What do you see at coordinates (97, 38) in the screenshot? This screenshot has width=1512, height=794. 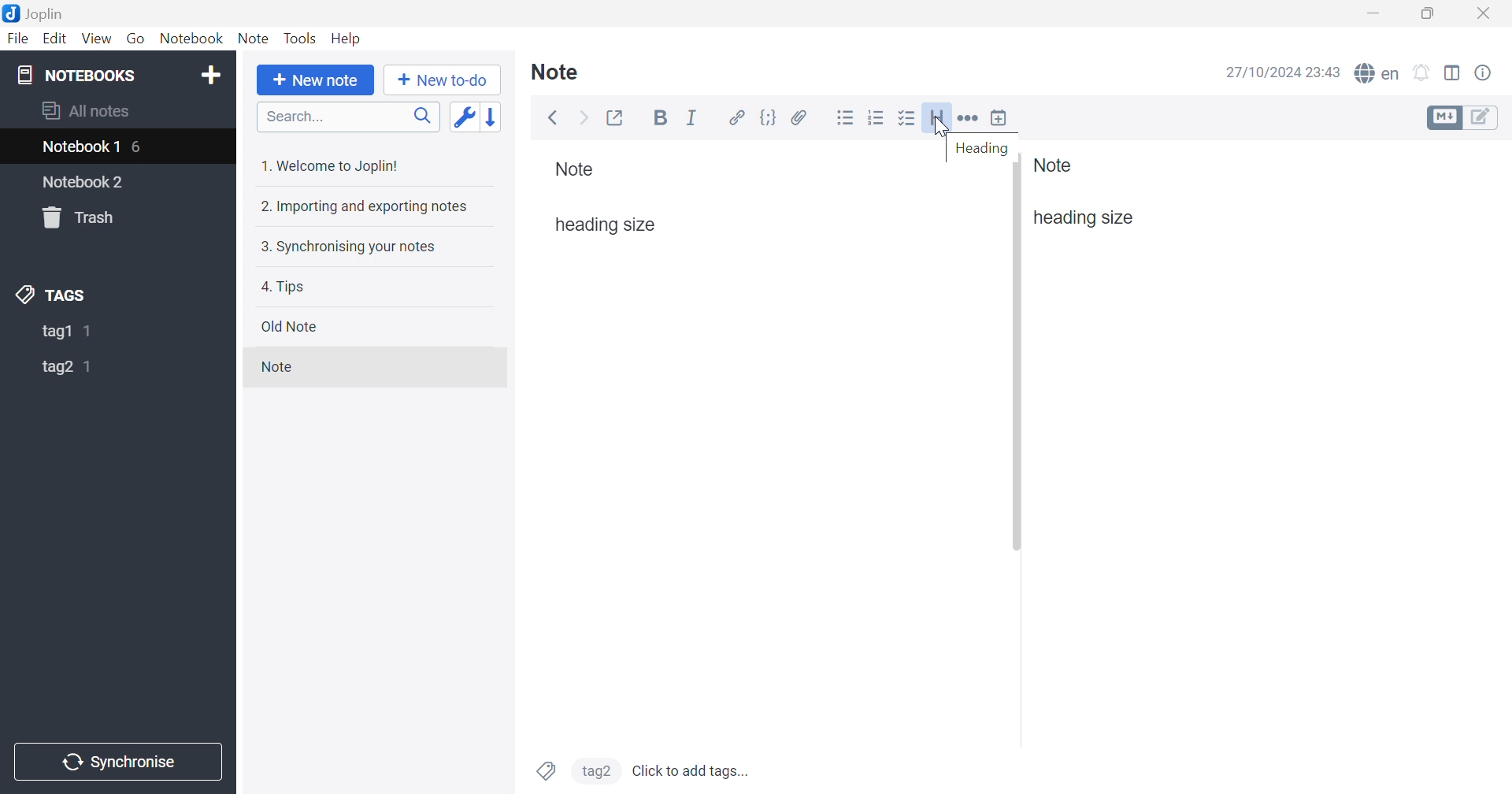 I see `View` at bounding box center [97, 38].